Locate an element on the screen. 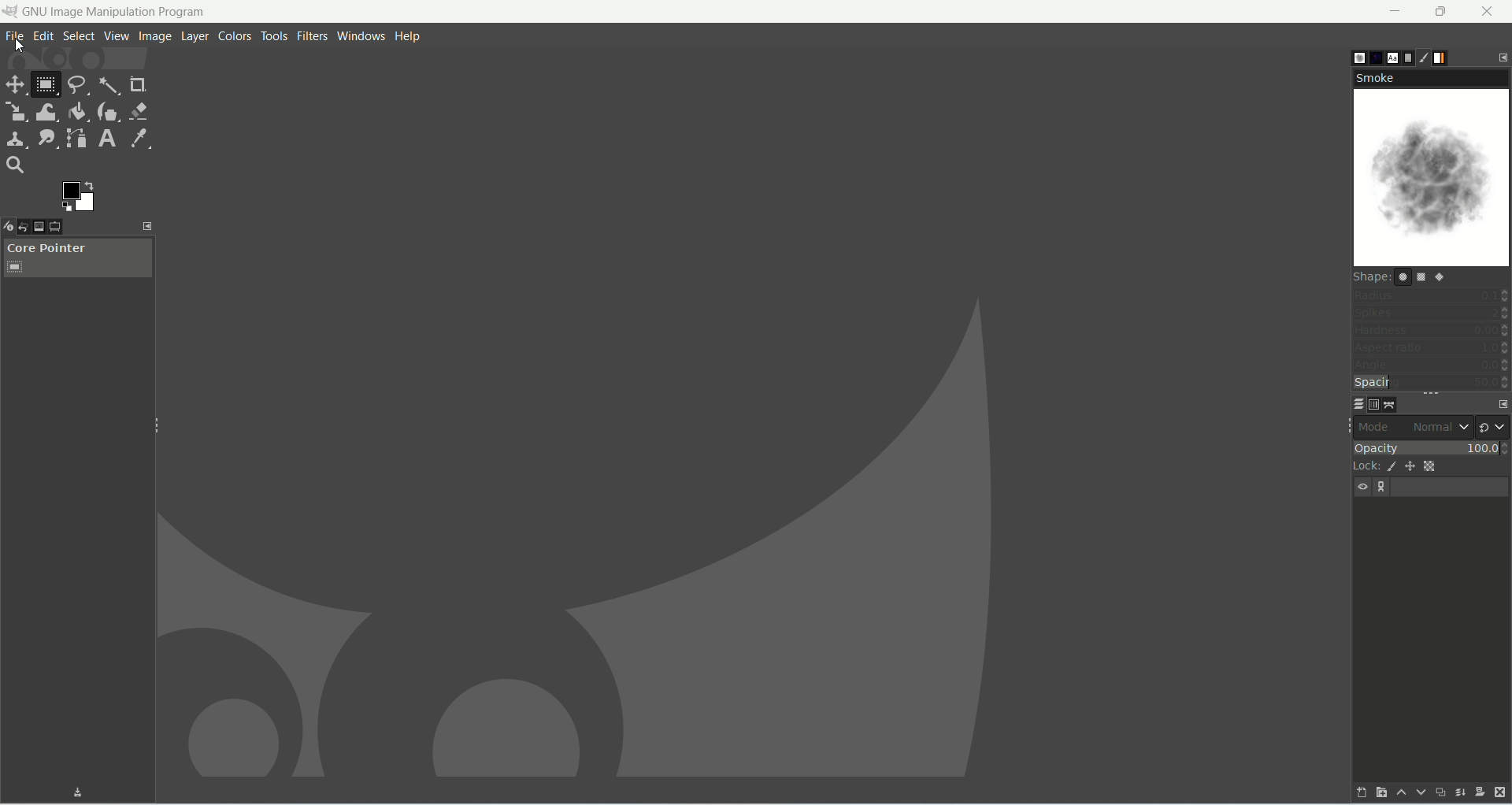 Image resolution: width=1512 pixels, height=805 pixels. lock position and size is located at coordinates (1411, 467).